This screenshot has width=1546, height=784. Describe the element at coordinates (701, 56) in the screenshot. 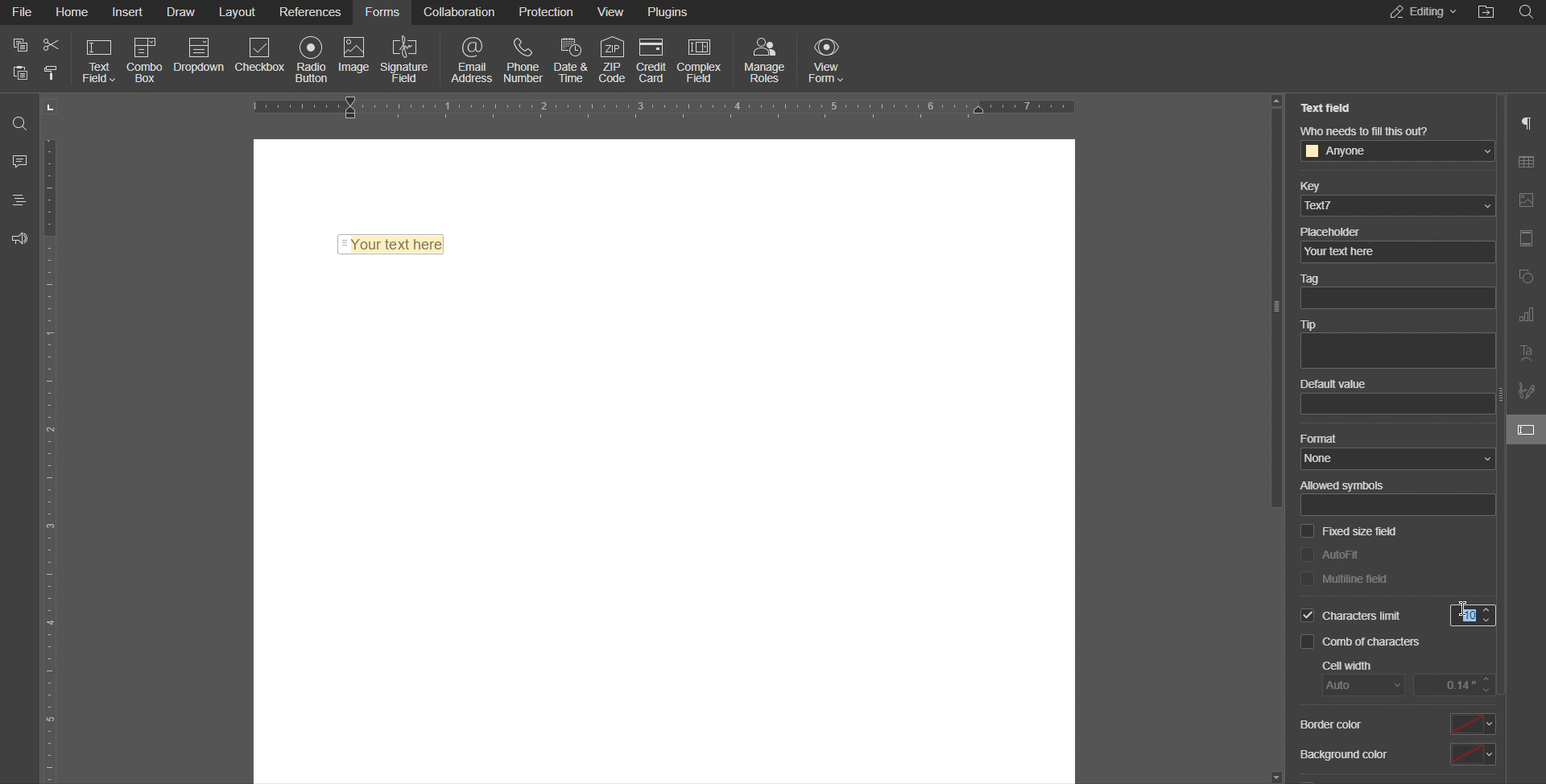

I see `Complex Field` at that location.